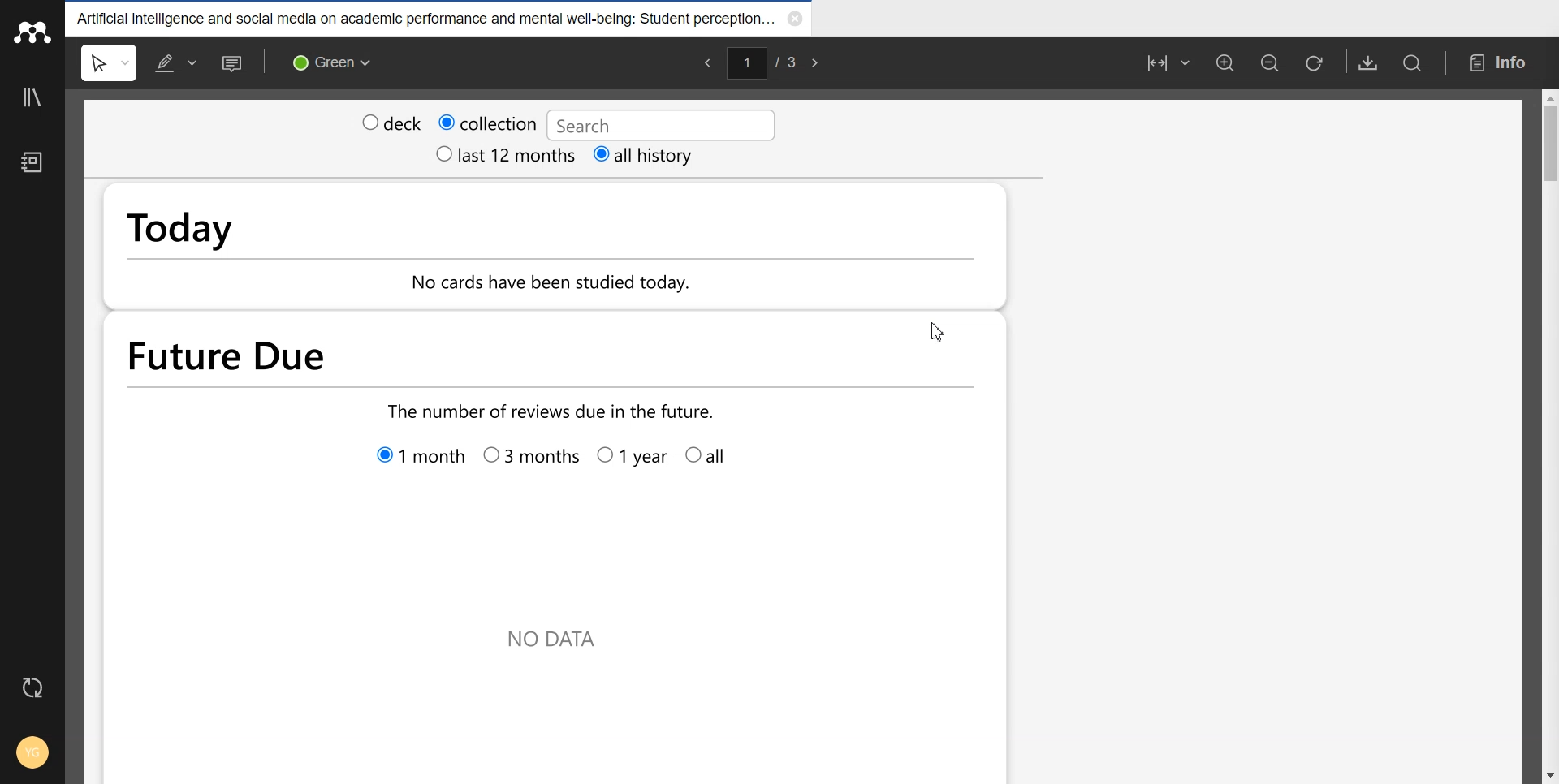  Describe the element at coordinates (33, 97) in the screenshot. I see `Library` at that location.